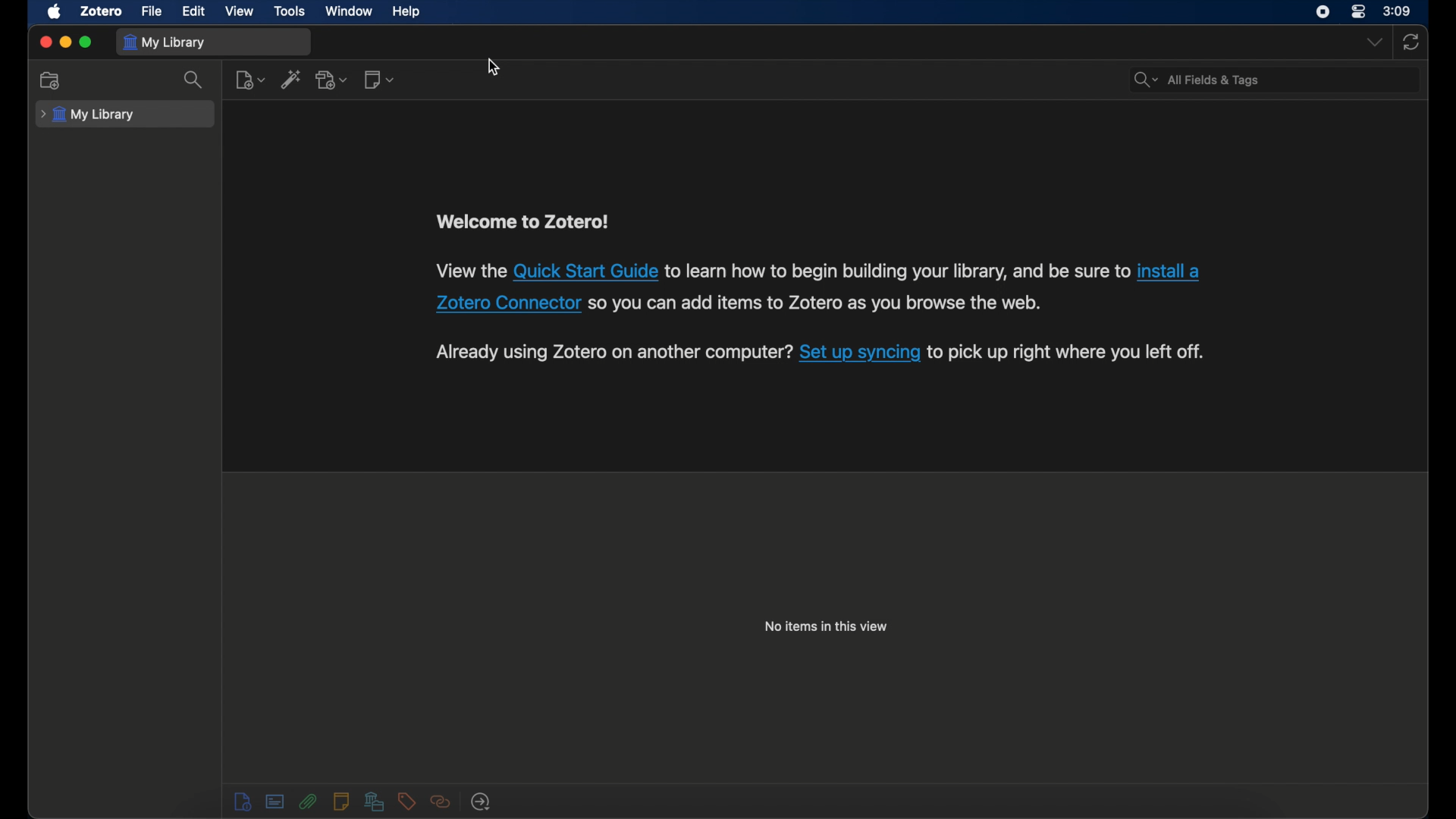 This screenshot has height=819, width=1456. Describe the element at coordinates (1398, 11) in the screenshot. I see `time` at that location.